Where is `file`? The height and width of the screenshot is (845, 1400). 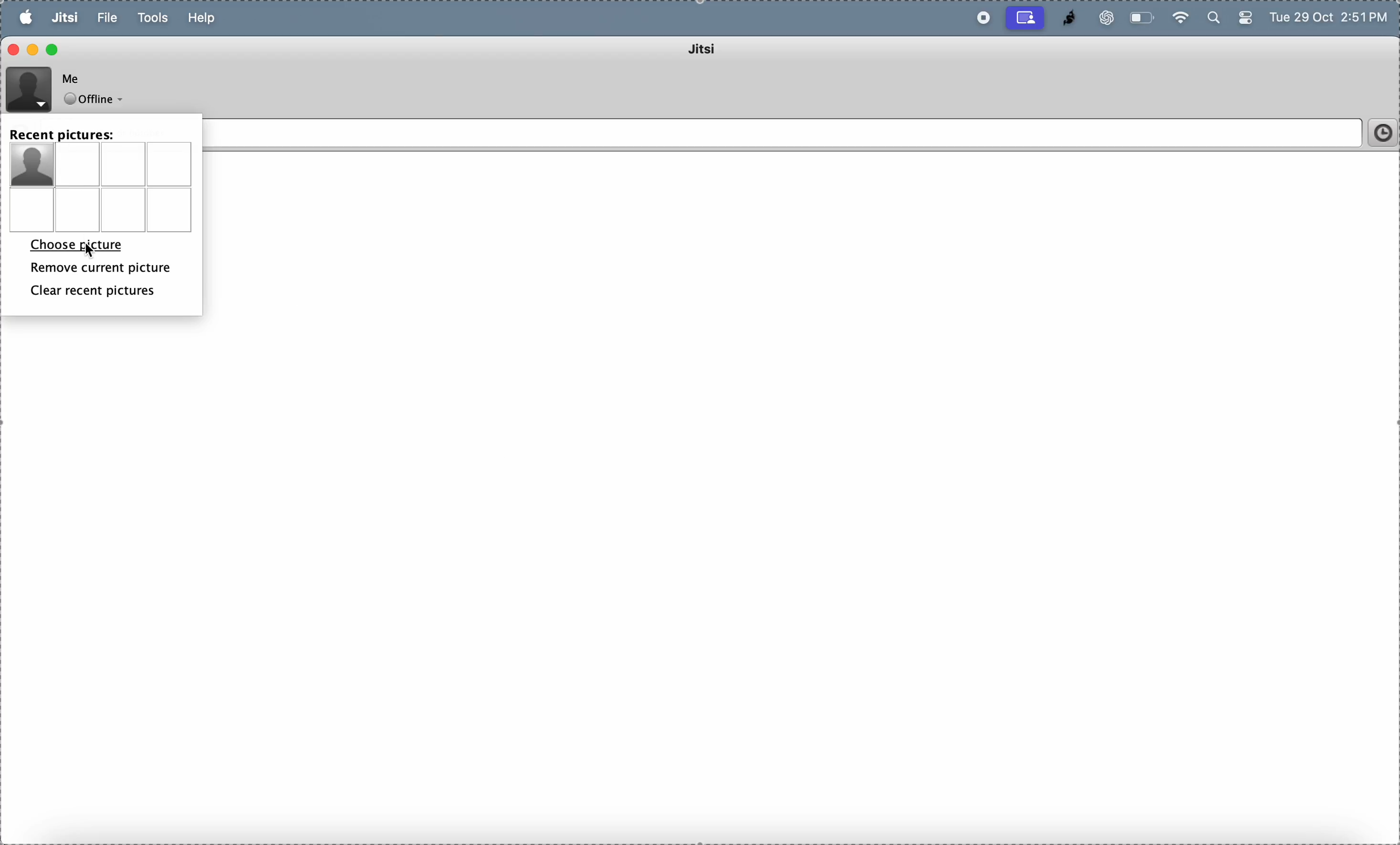
file is located at coordinates (108, 18).